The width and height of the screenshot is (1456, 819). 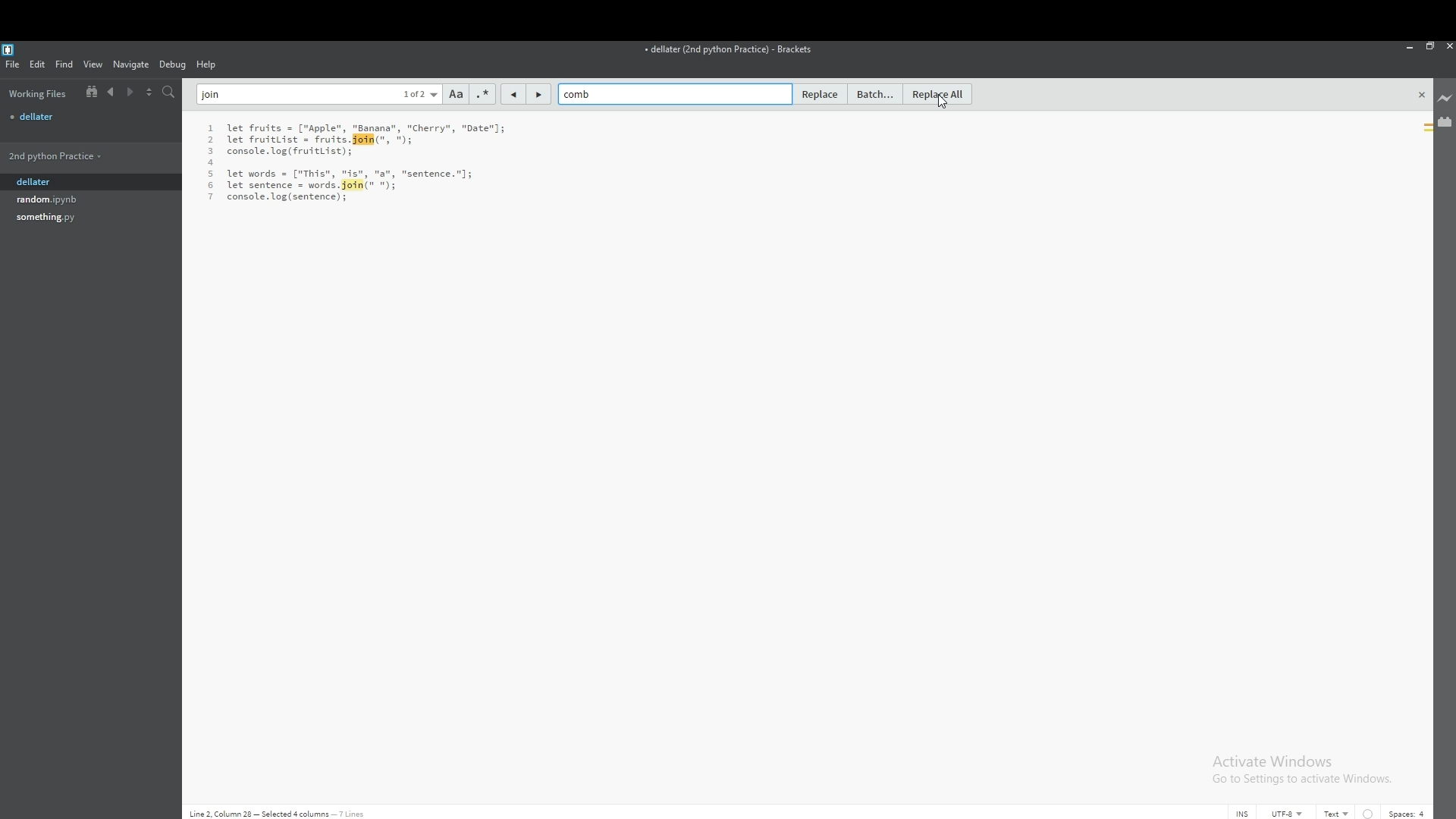 I want to click on help, so click(x=208, y=65).